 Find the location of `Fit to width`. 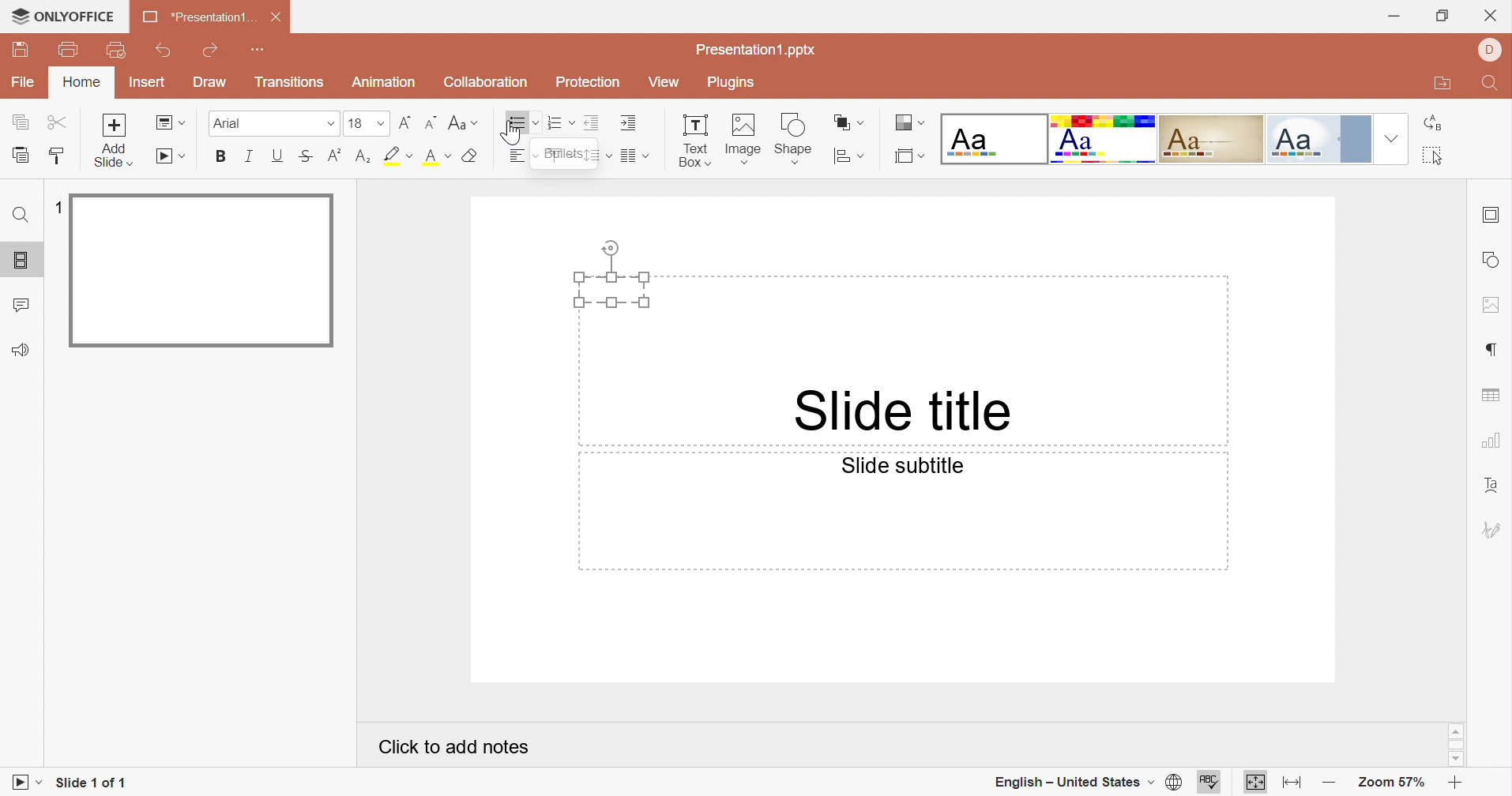

Fit to width is located at coordinates (1296, 783).